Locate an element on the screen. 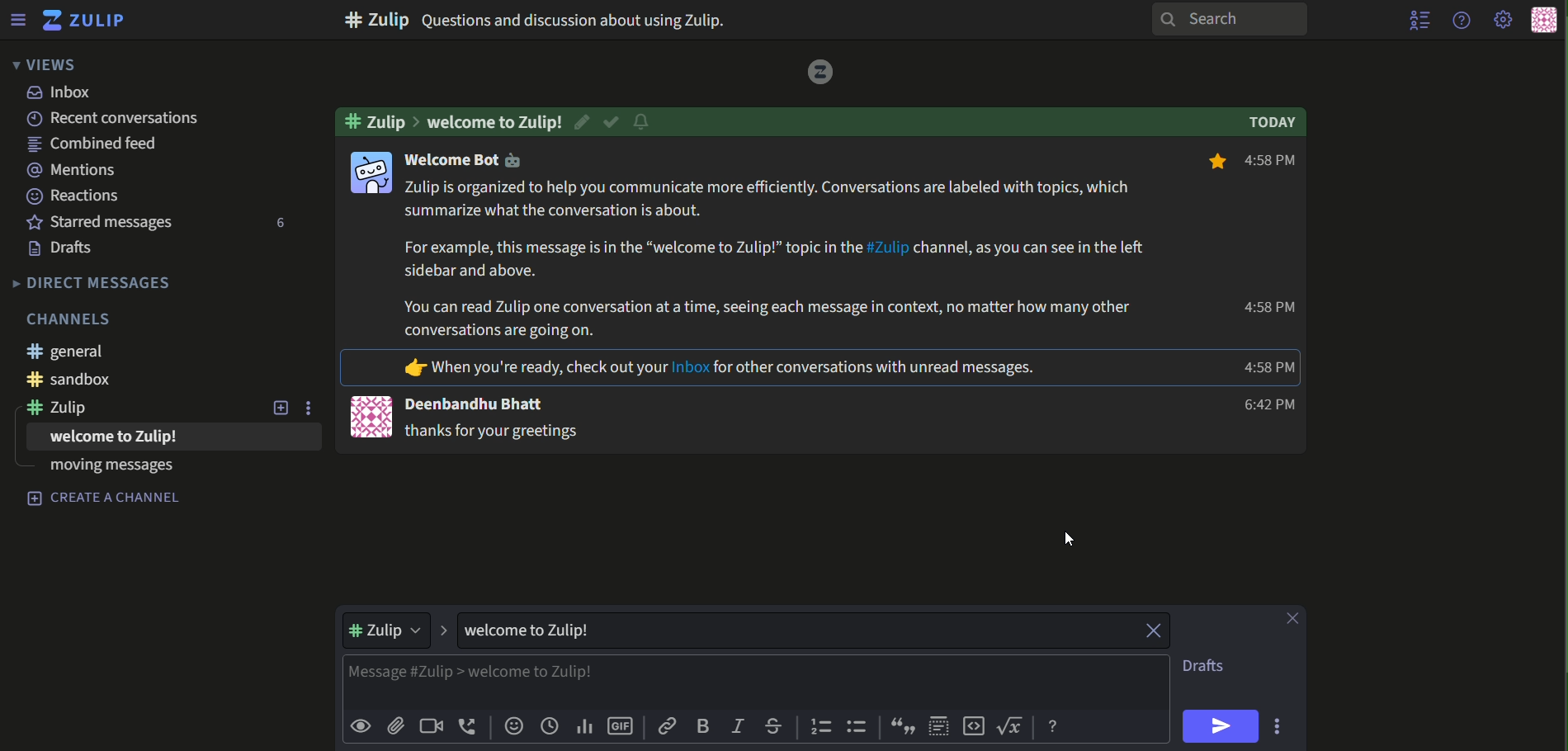 The height and width of the screenshot is (751, 1568). text is located at coordinates (101, 145).